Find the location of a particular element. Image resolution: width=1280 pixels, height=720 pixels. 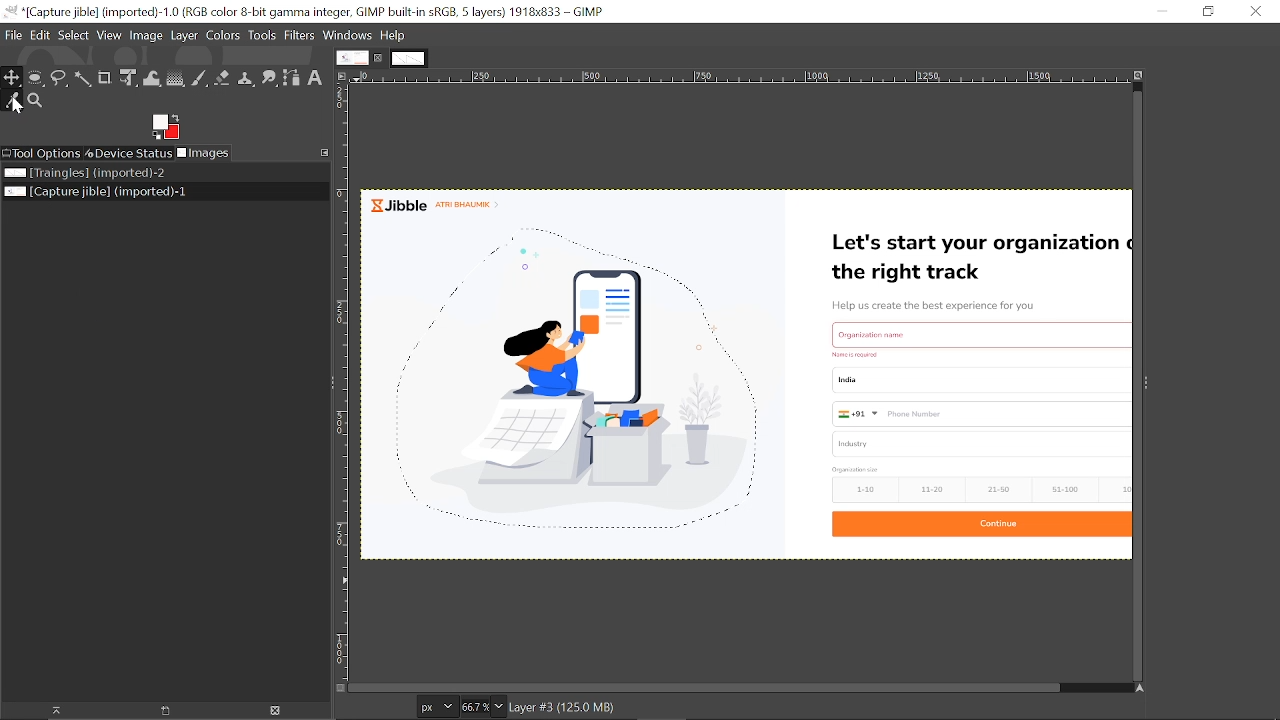

Tool options is located at coordinates (43, 154).